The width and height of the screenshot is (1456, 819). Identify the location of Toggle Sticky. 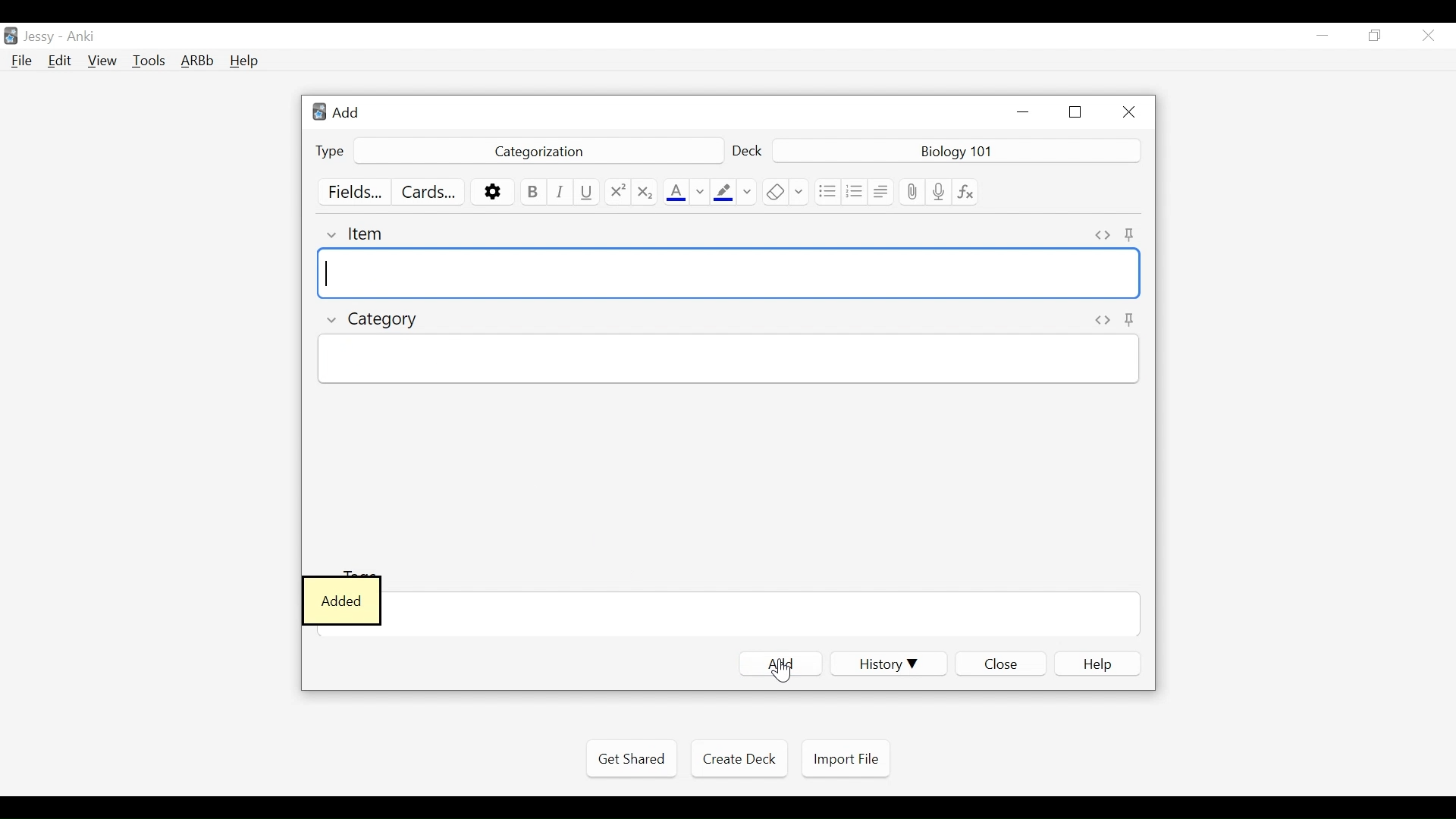
(1131, 236).